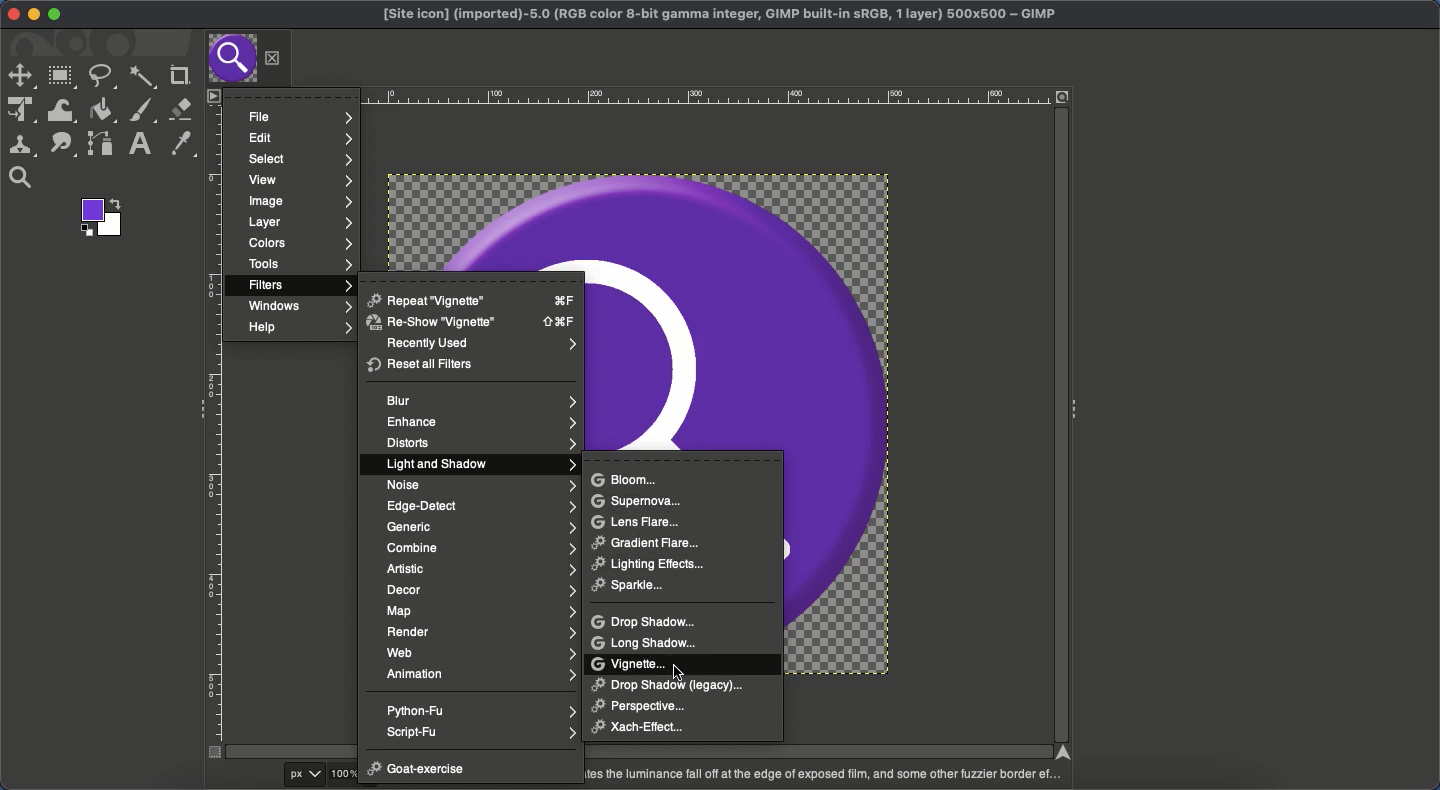 The height and width of the screenshot is (790, 1440). Describe the element at coordinates (632, 664) in the screenshot. I see `Vignette` at that location.